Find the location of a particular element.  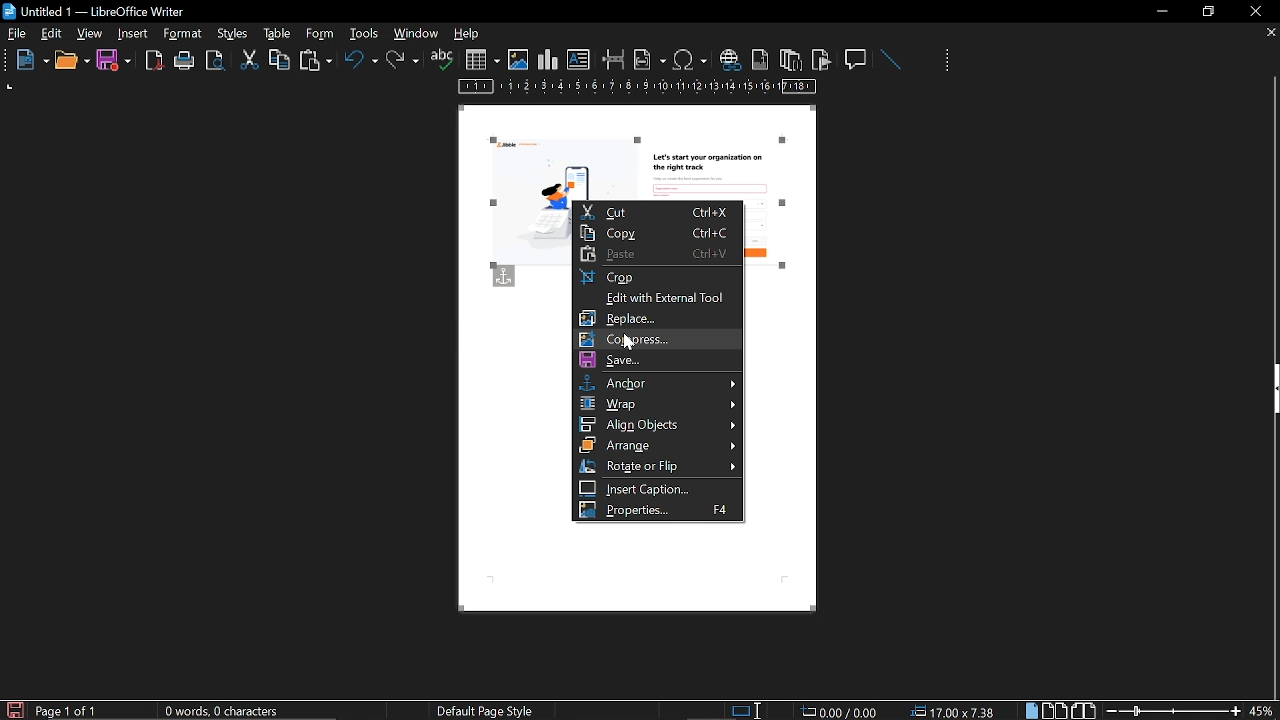

insert comment is located at coordinates (857, 58).